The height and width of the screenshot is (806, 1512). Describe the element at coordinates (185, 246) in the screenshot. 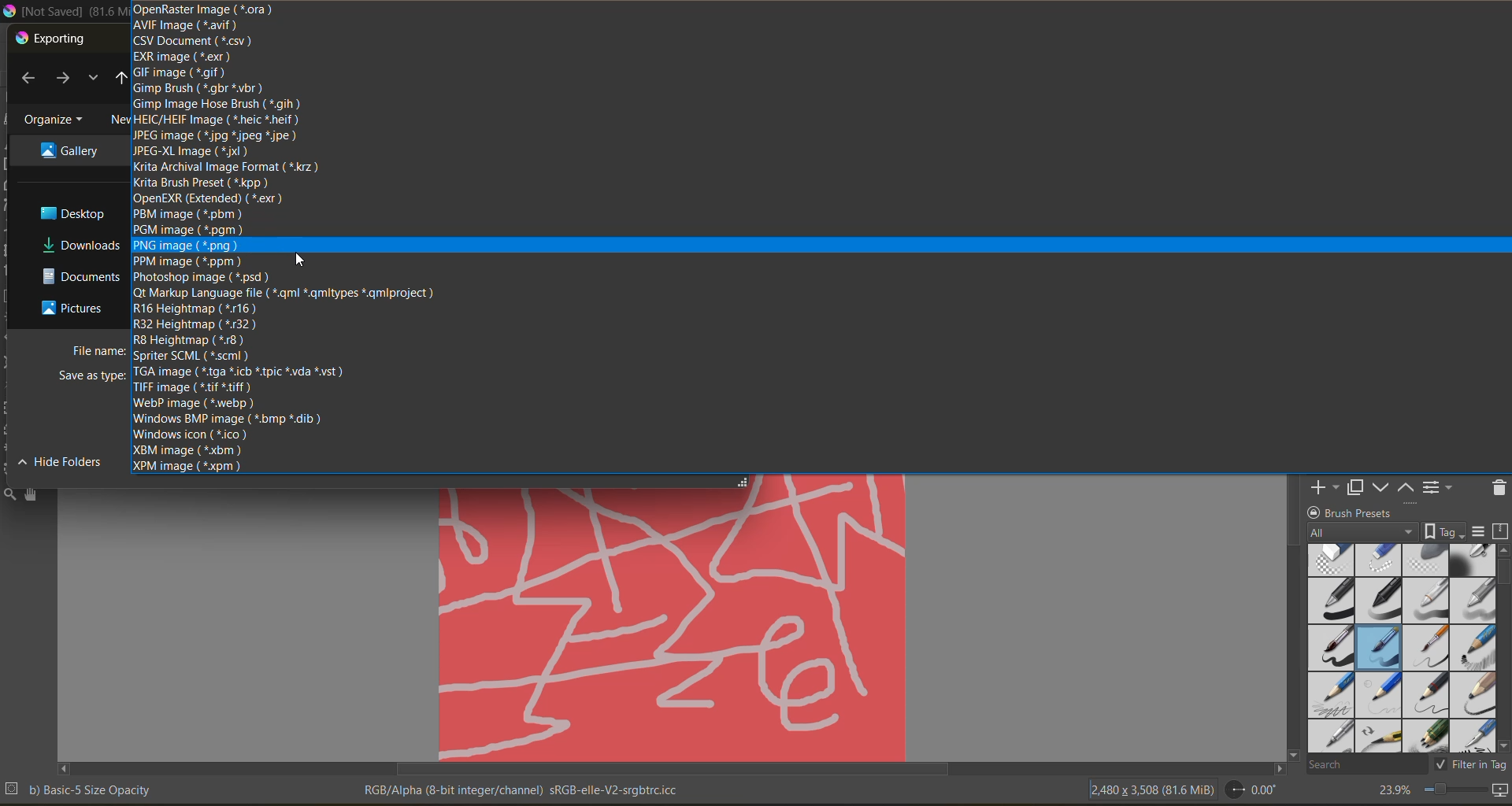

I see `png image` at that location.